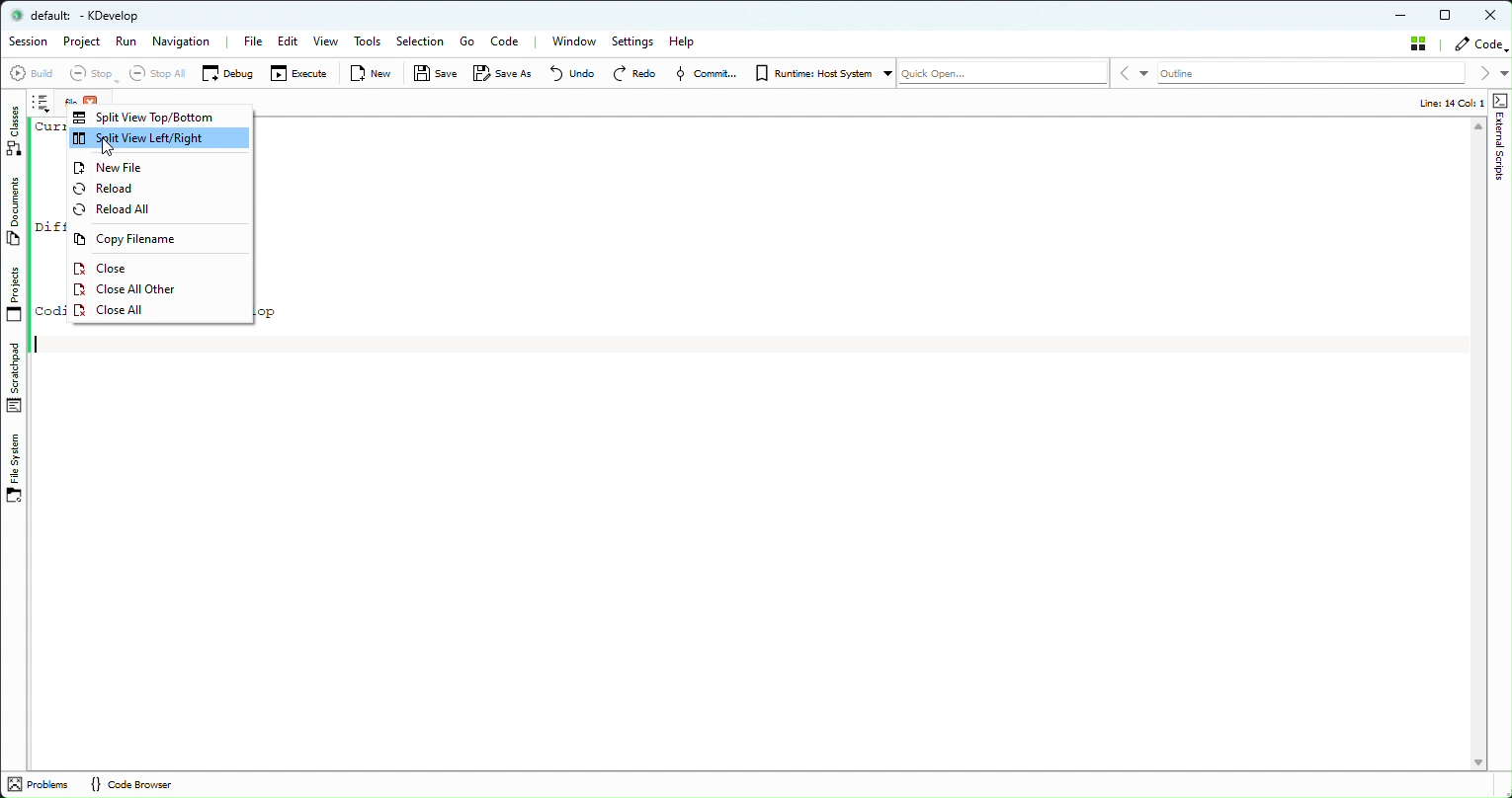  Describe the element at coordinates (1448, 14) in the screenshot. I see `Maximize` at that location.